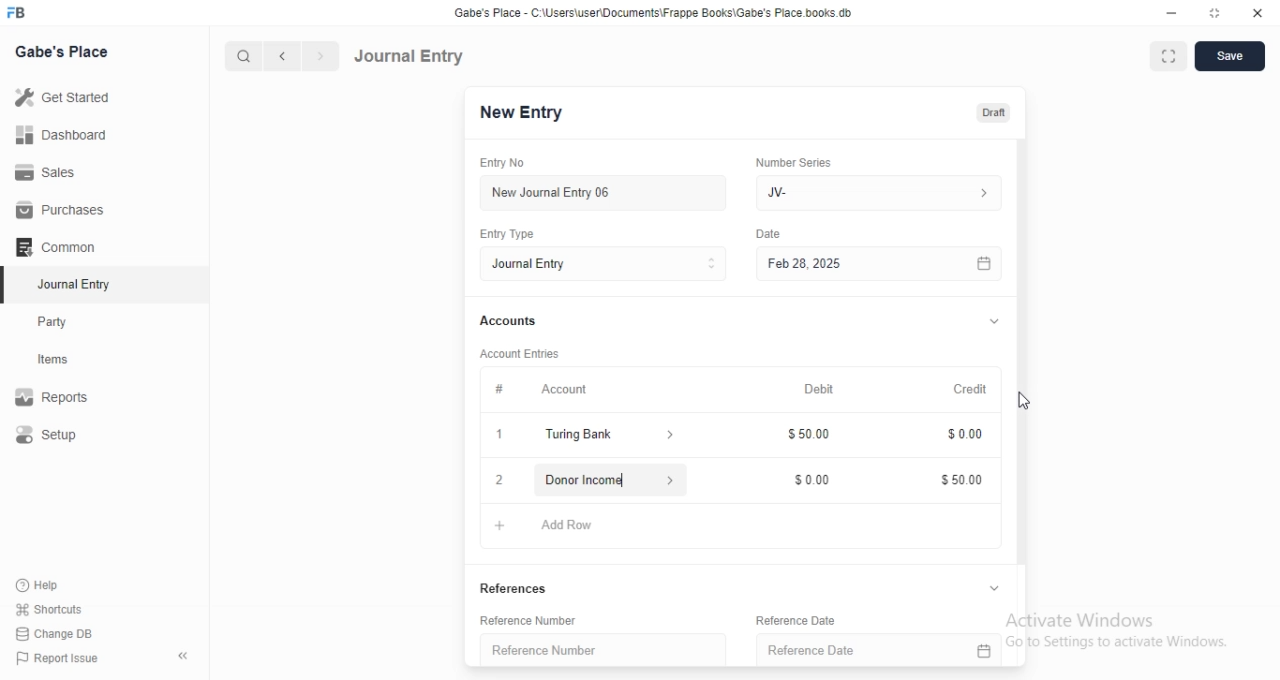 This screenshot has width=1280, height=680. I want to click on Reference Number, so click(600, 648).